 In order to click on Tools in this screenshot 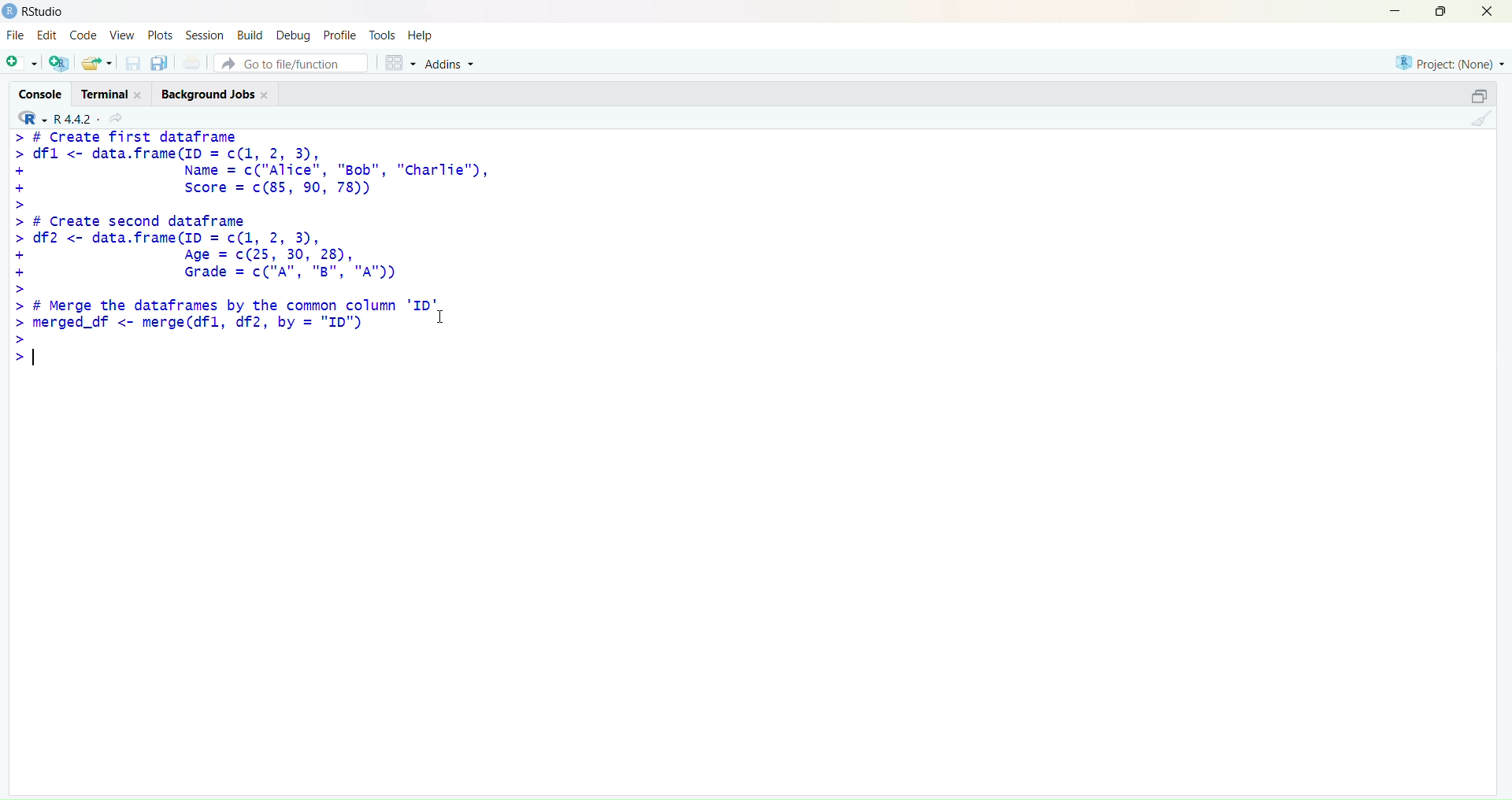, I will do `click(381, 35)`.